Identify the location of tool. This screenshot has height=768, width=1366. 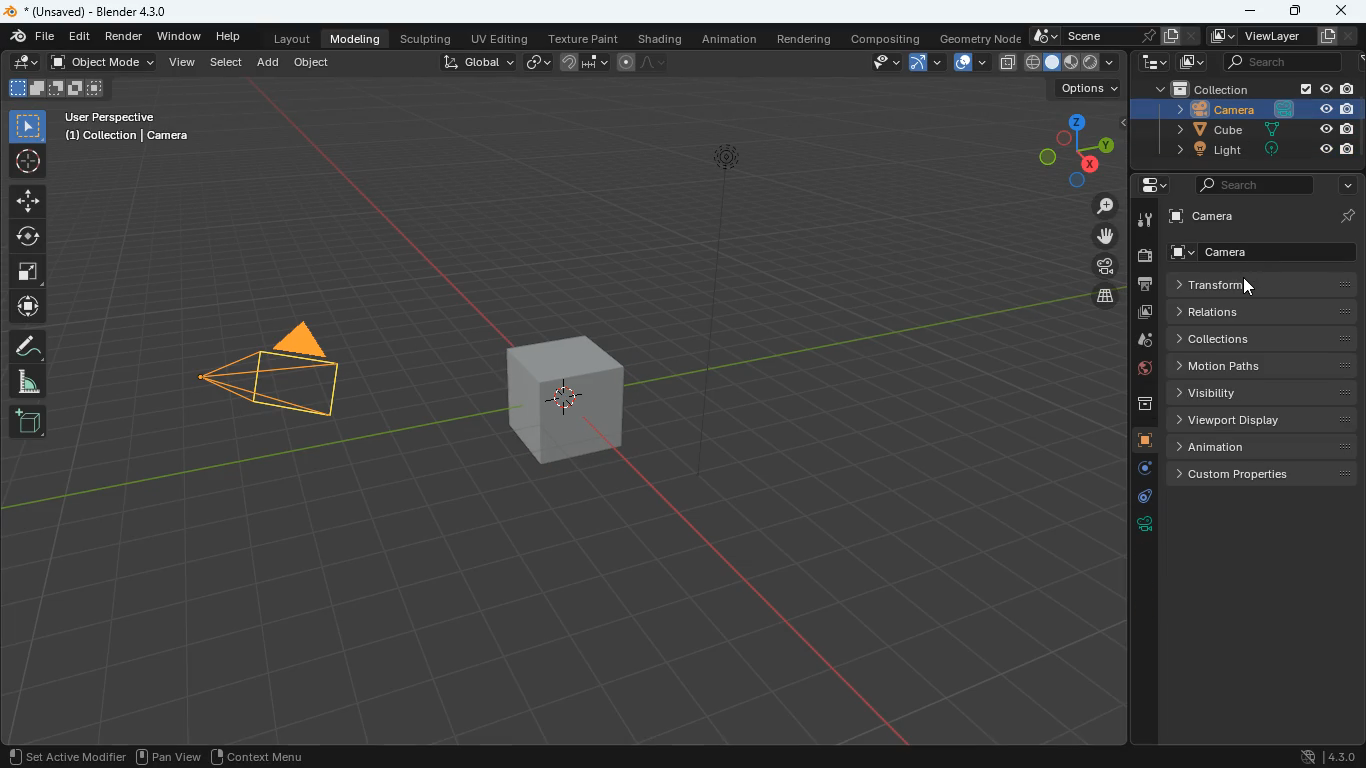
(1145, 223).